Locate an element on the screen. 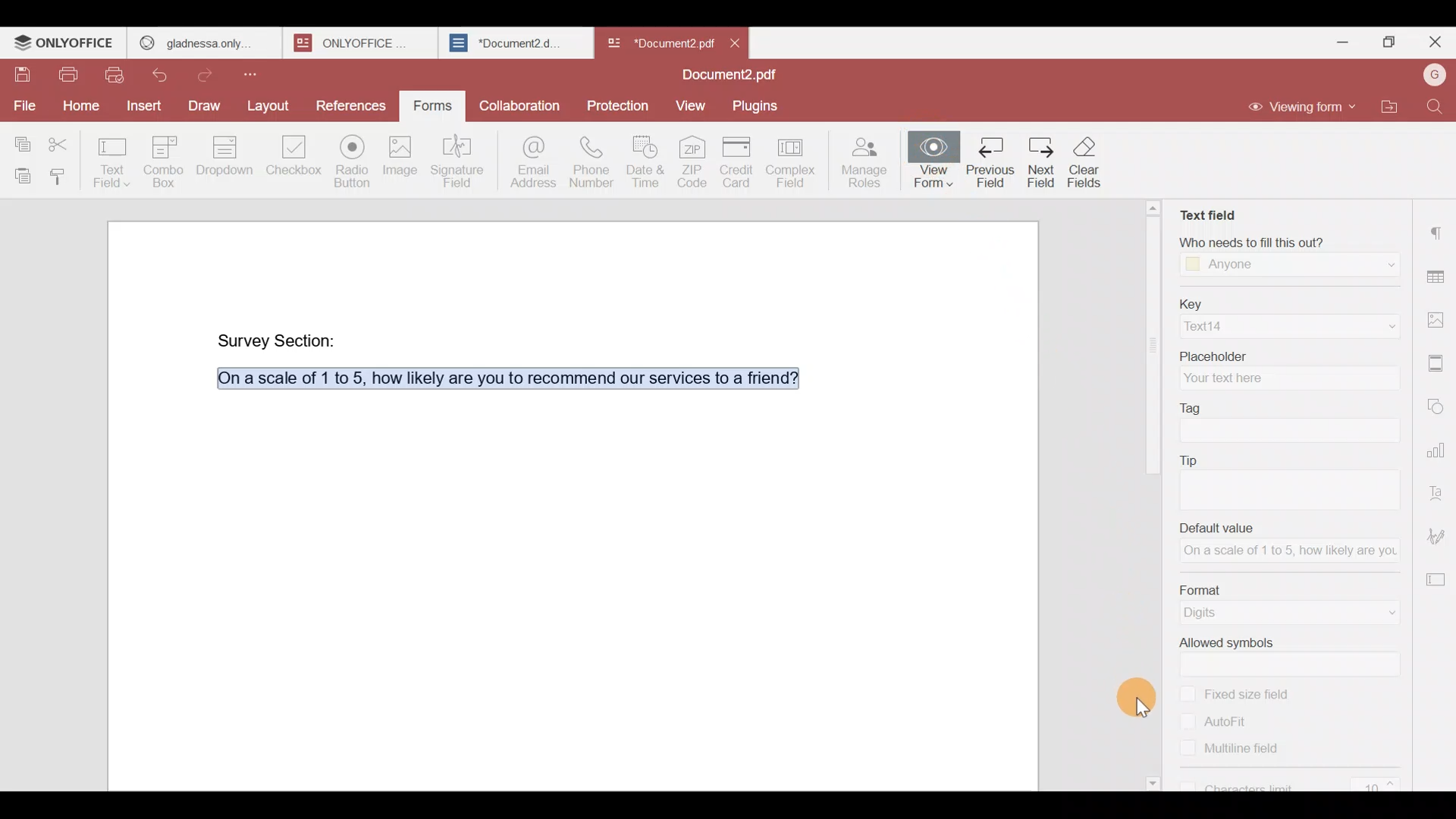 Image resolution: width=1456 pixels, height=819 pixels. Draw is located at coordinates (204, 105).